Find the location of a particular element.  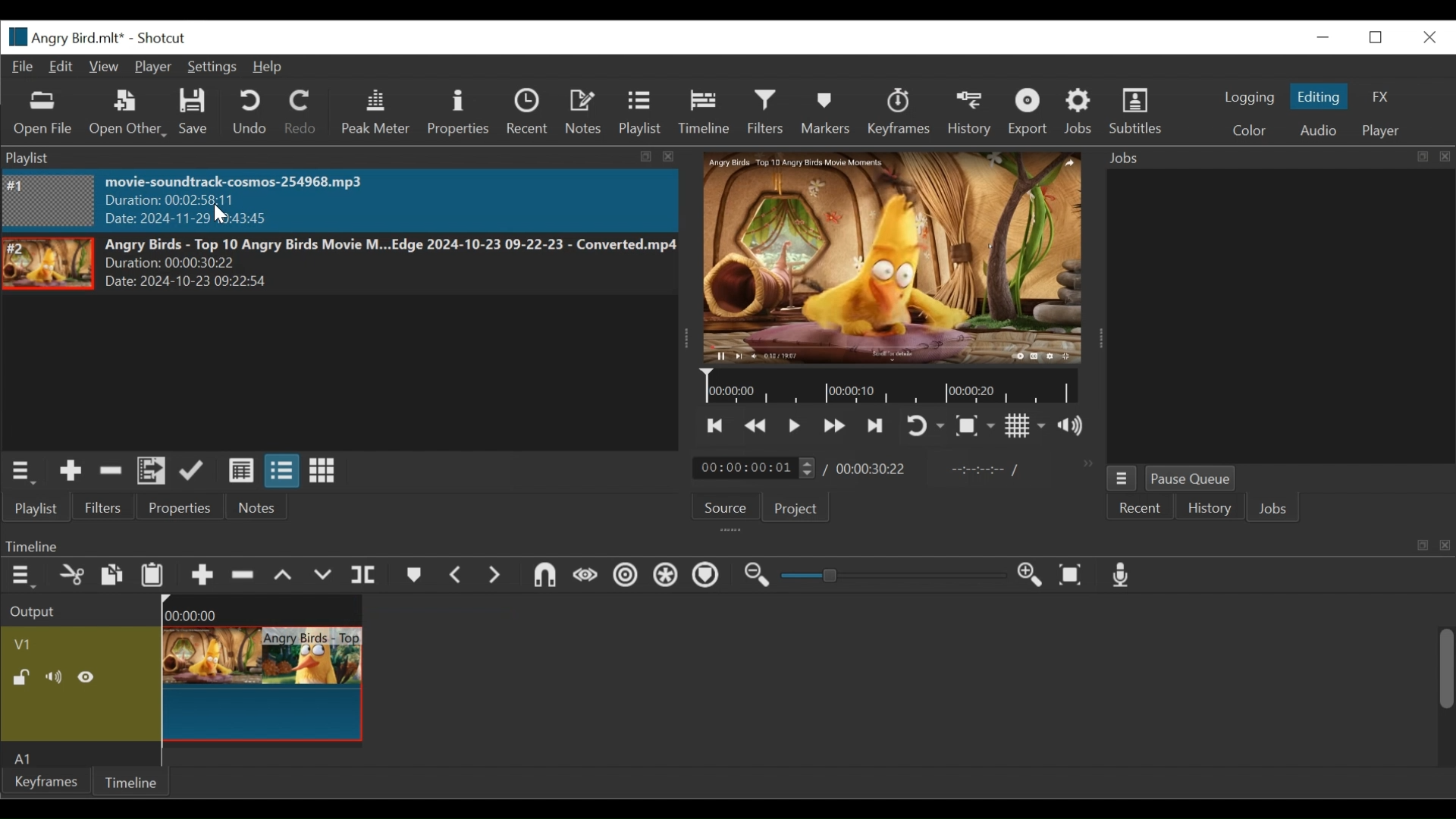

Record audio is located at coordinates (1122, 576).